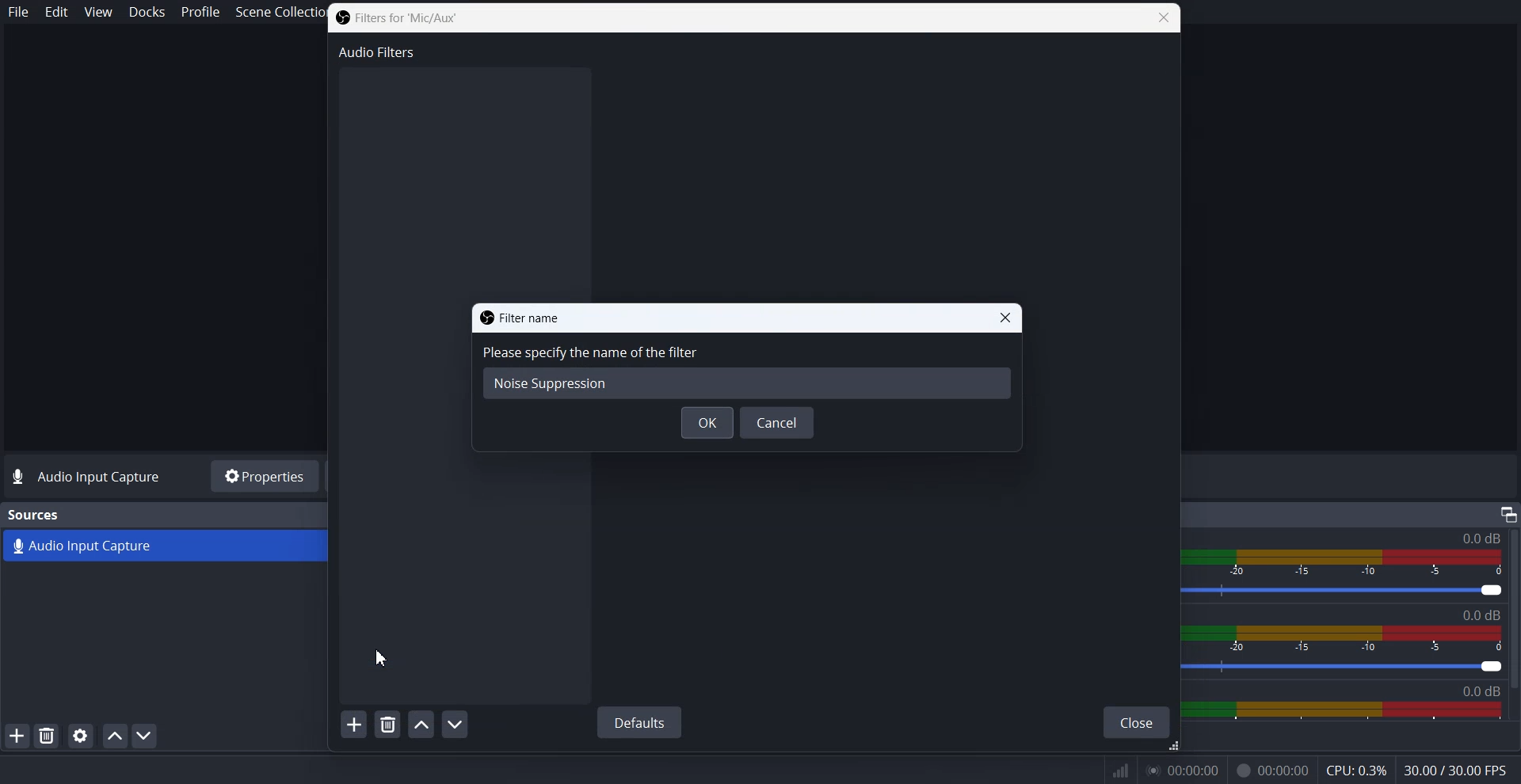 The image size is (1521, 784). Describe the element at coordinates (378, 51) in the screenshot. I see `Audio Filters` at that location.